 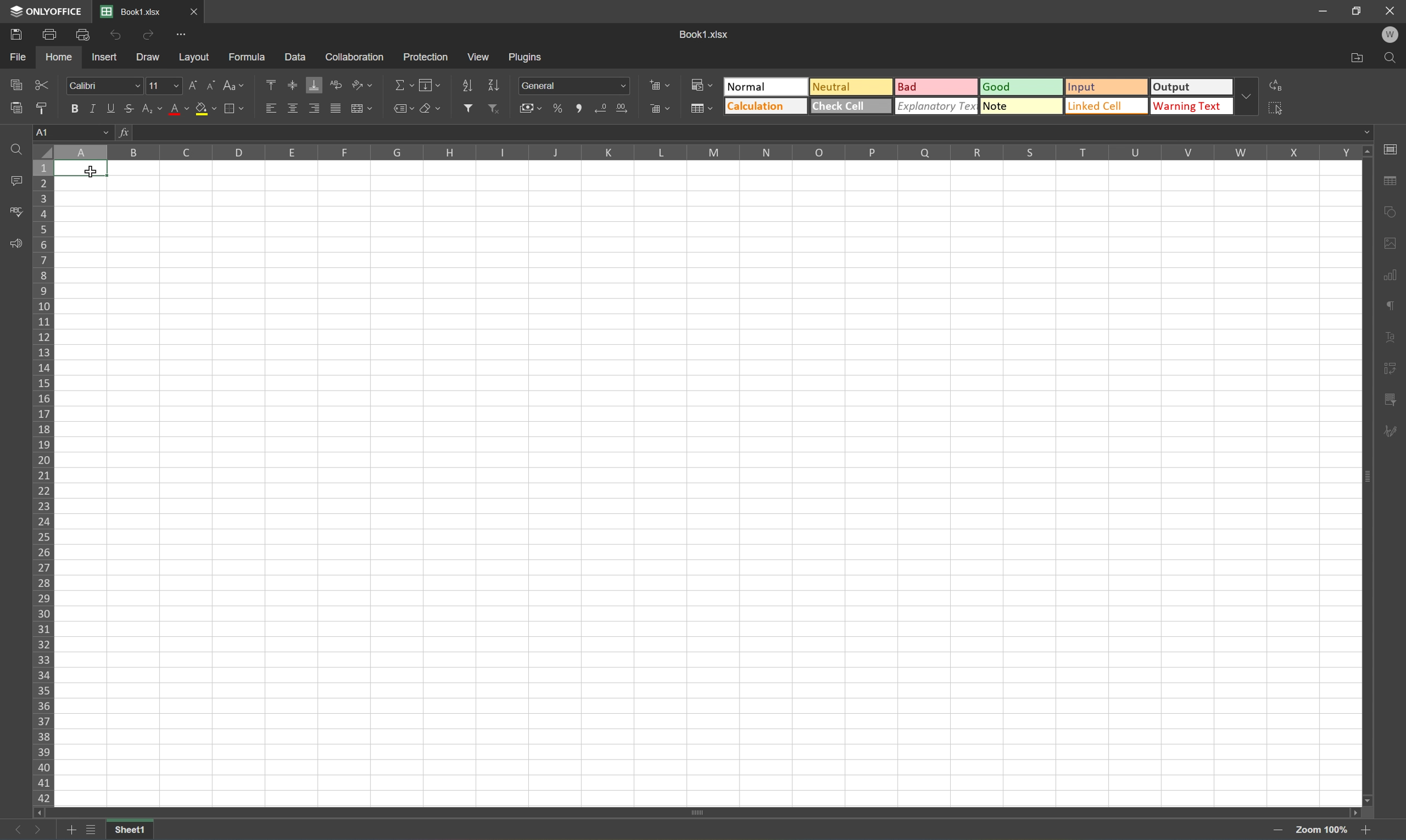 I want to click on Linked cell, so click(x=1108, y=106).